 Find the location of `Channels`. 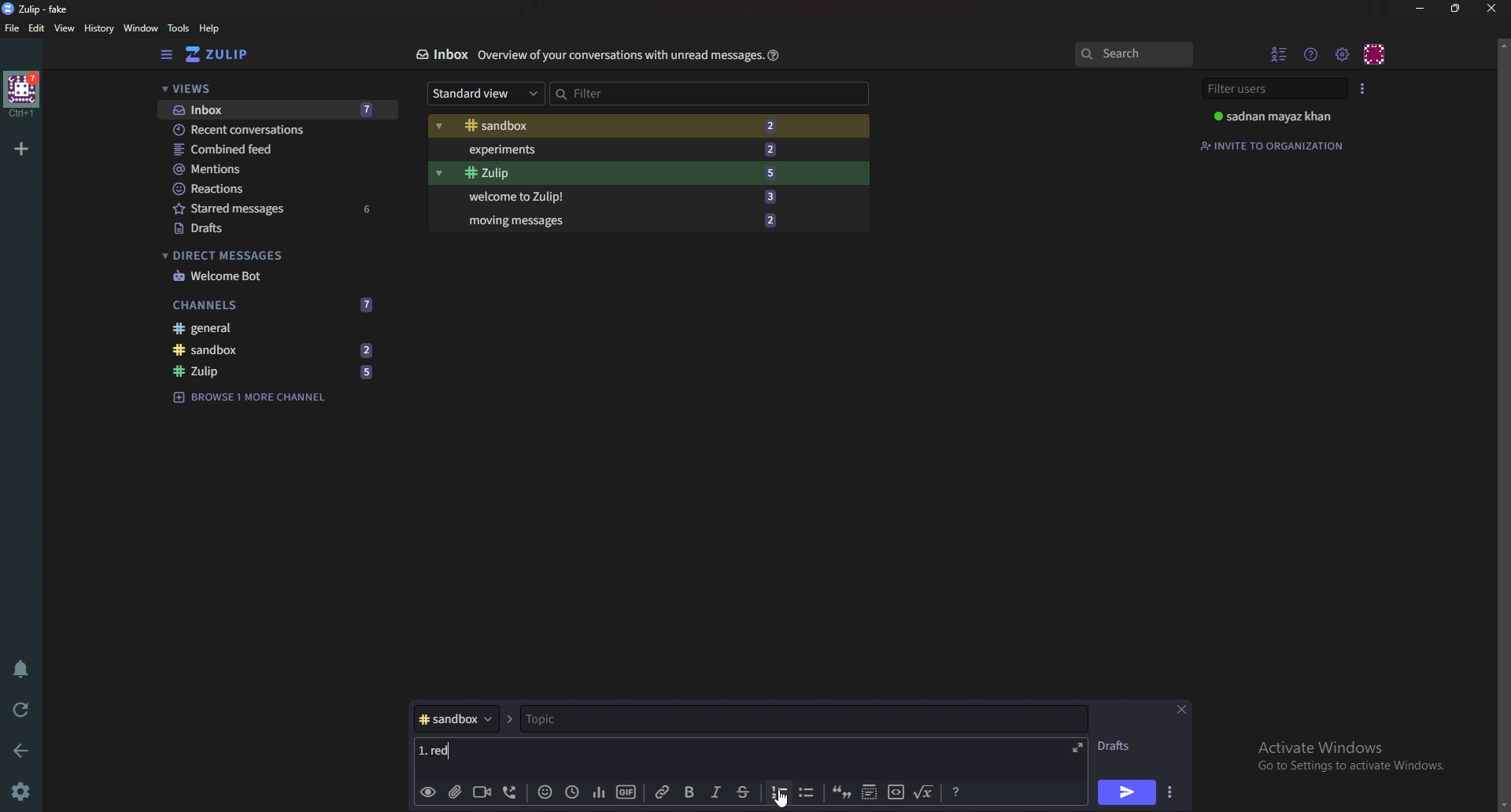

Channels is located at coordinates (276, 303).